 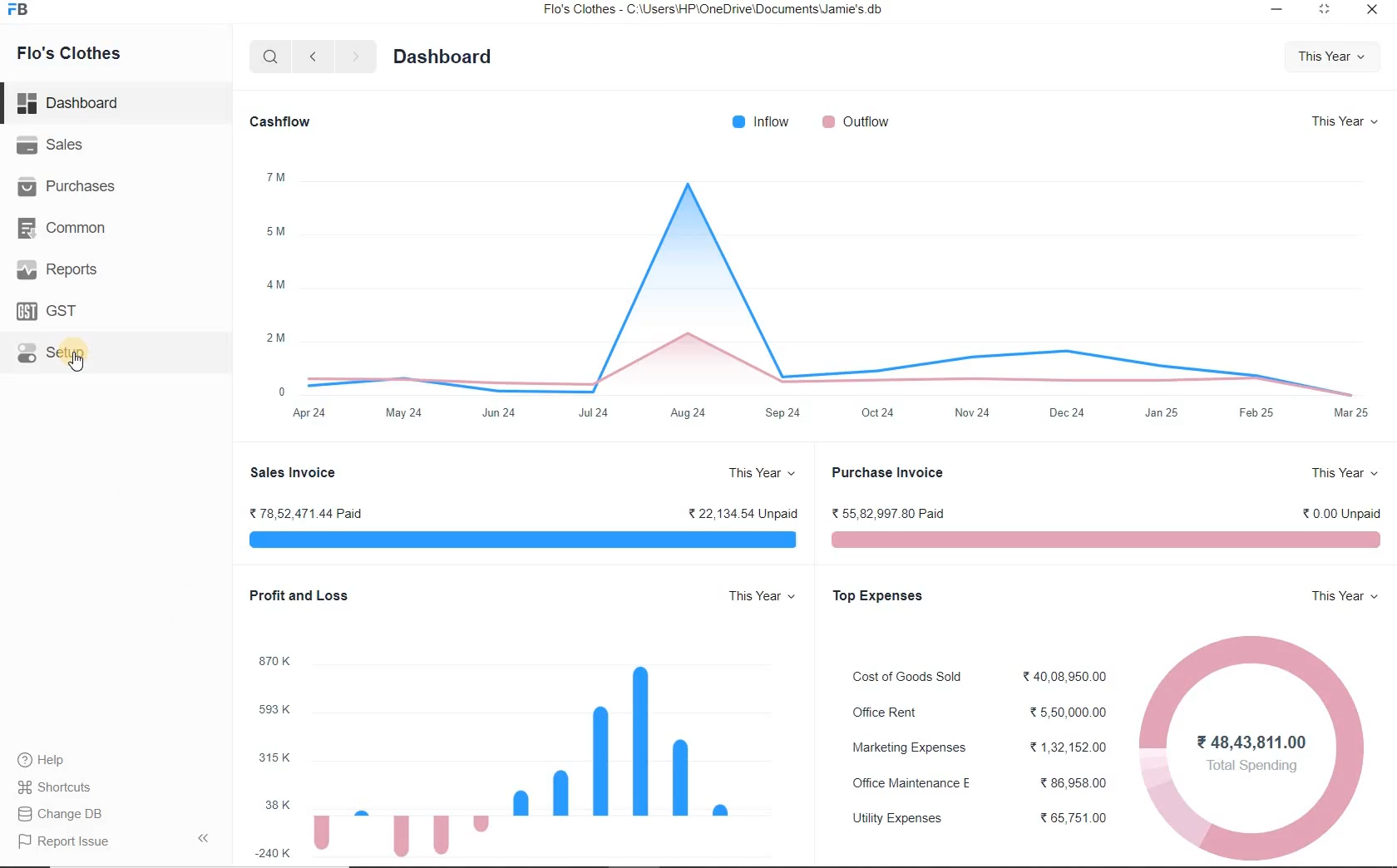 What do you see at coordinates (1275, 8) in the screenshot?
I see `minimize` at bounding box center [1275, 8].